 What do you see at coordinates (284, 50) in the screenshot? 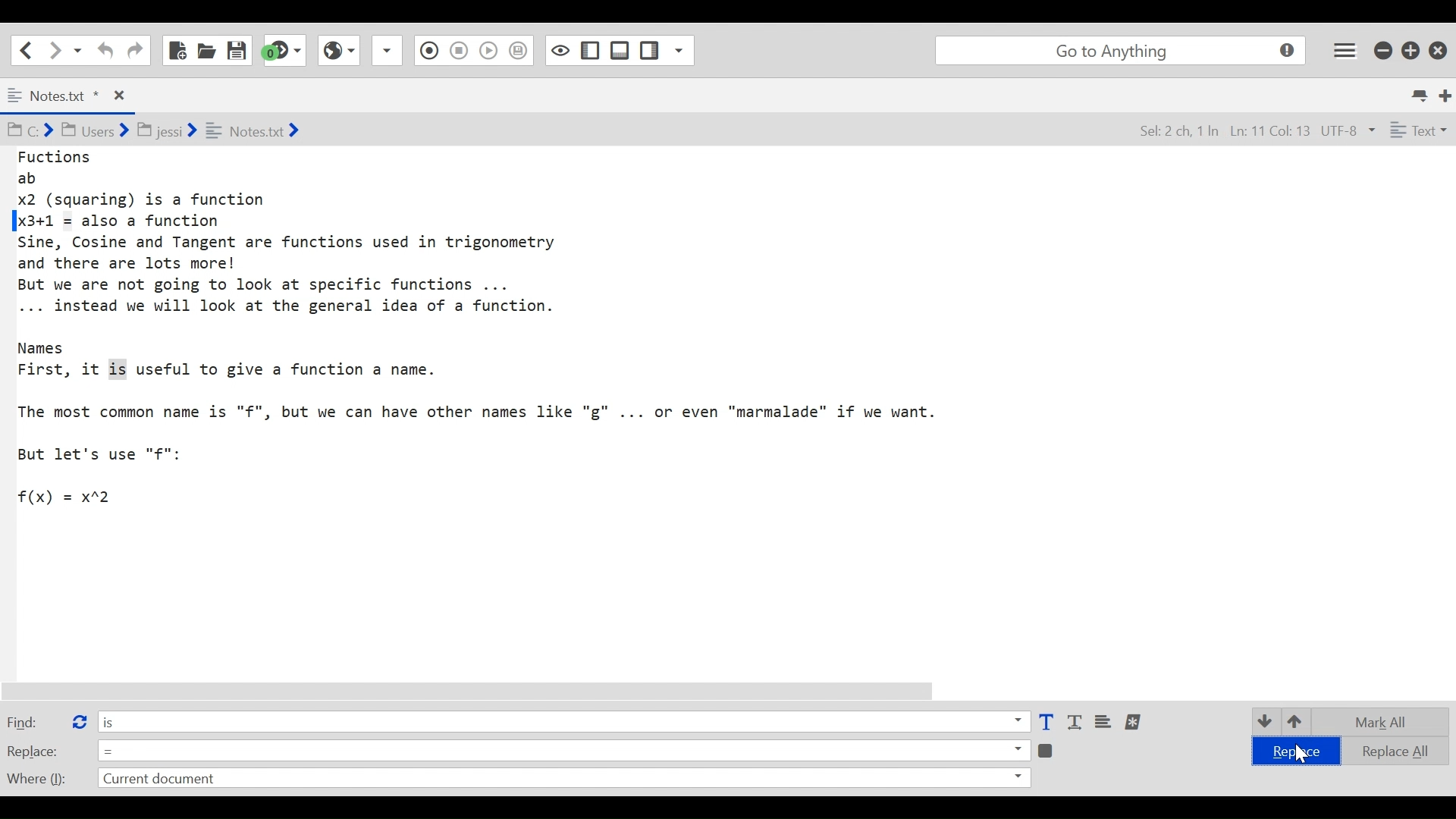
I see `Jump to next syntax checking result` at bounding box center [284, 50].